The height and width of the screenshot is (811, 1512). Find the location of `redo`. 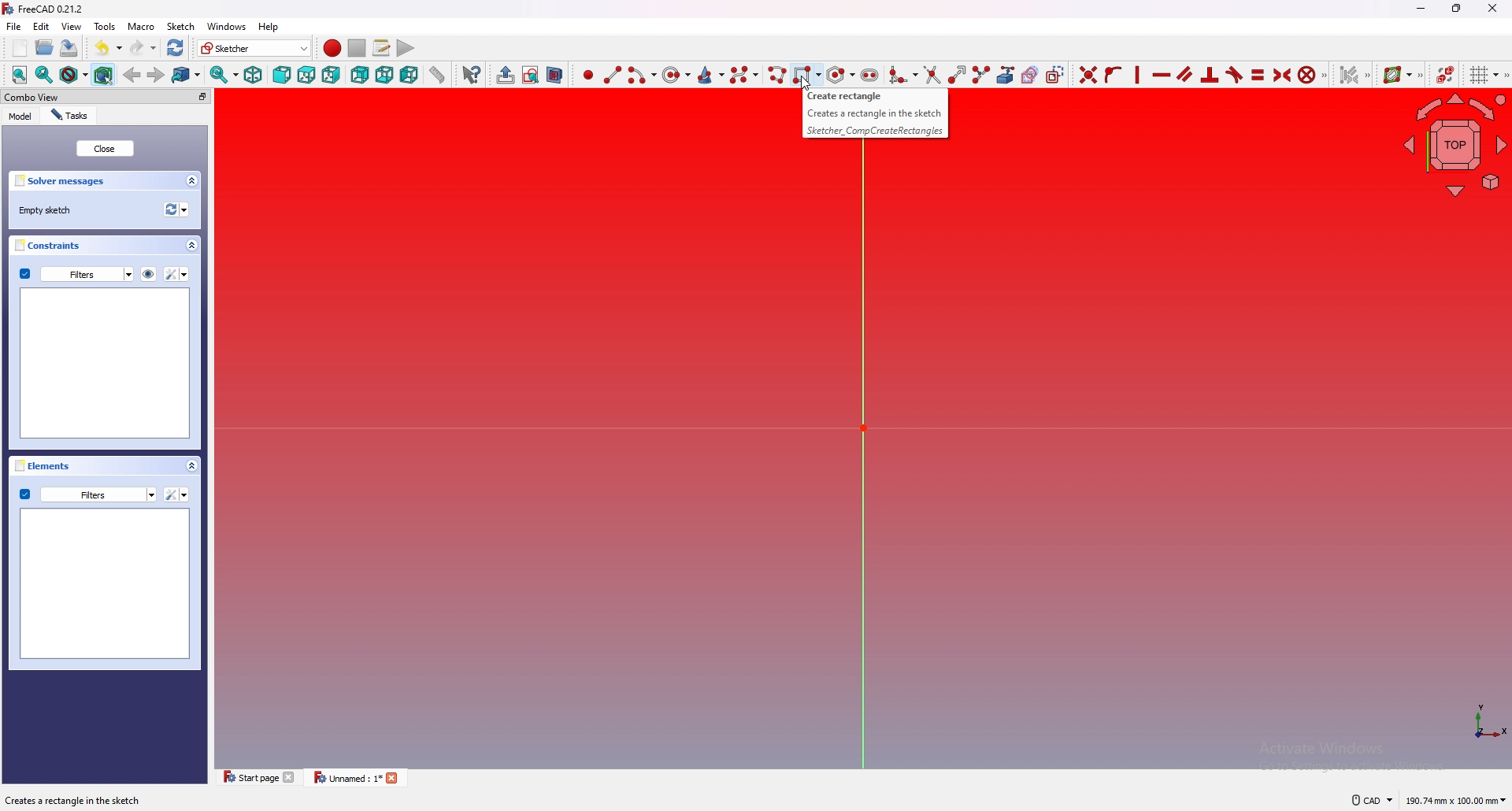

redo is located at coordinates (144, 47).